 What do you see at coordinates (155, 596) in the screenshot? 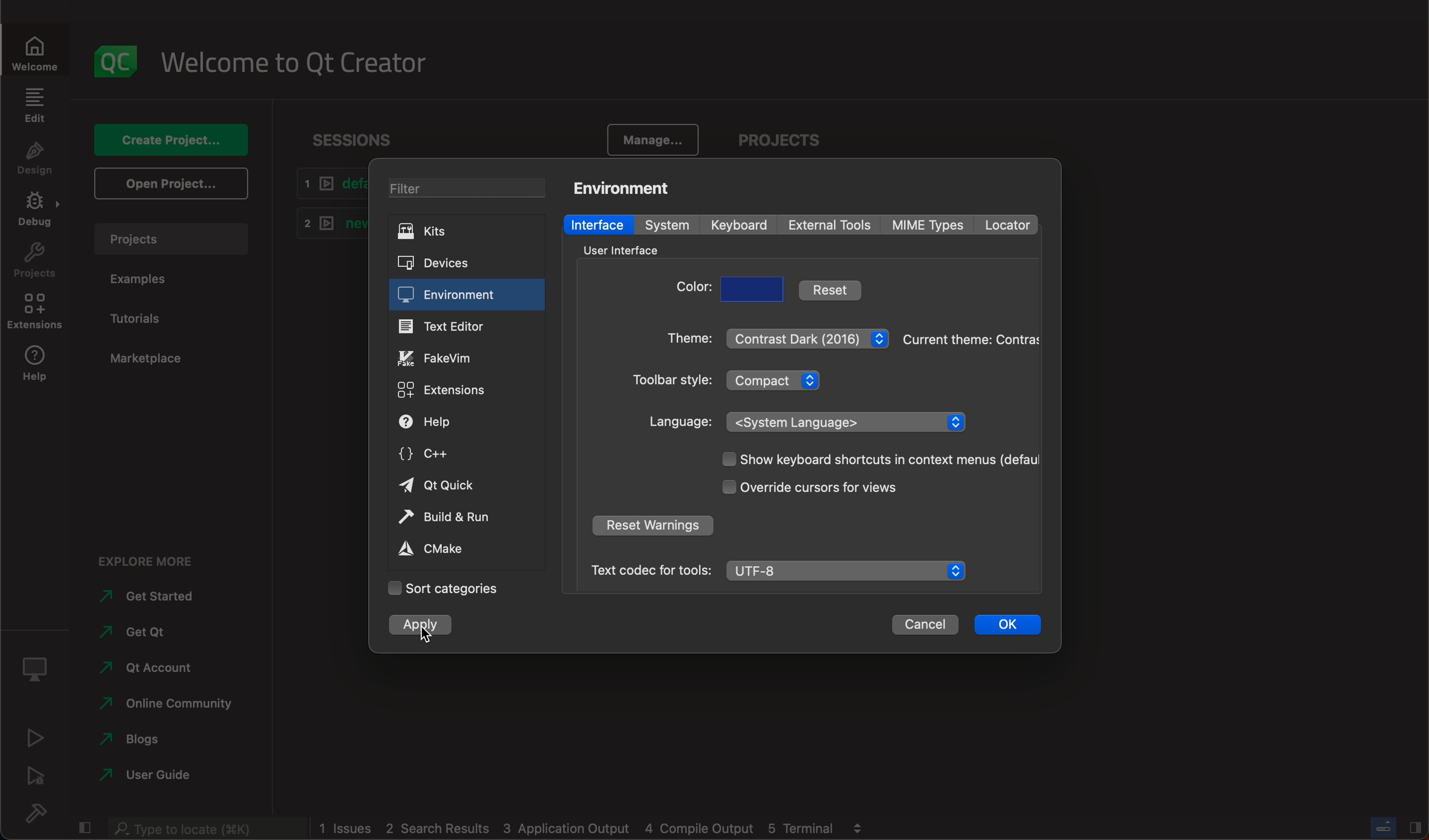
I see `started` at bounding box center [155, 596].